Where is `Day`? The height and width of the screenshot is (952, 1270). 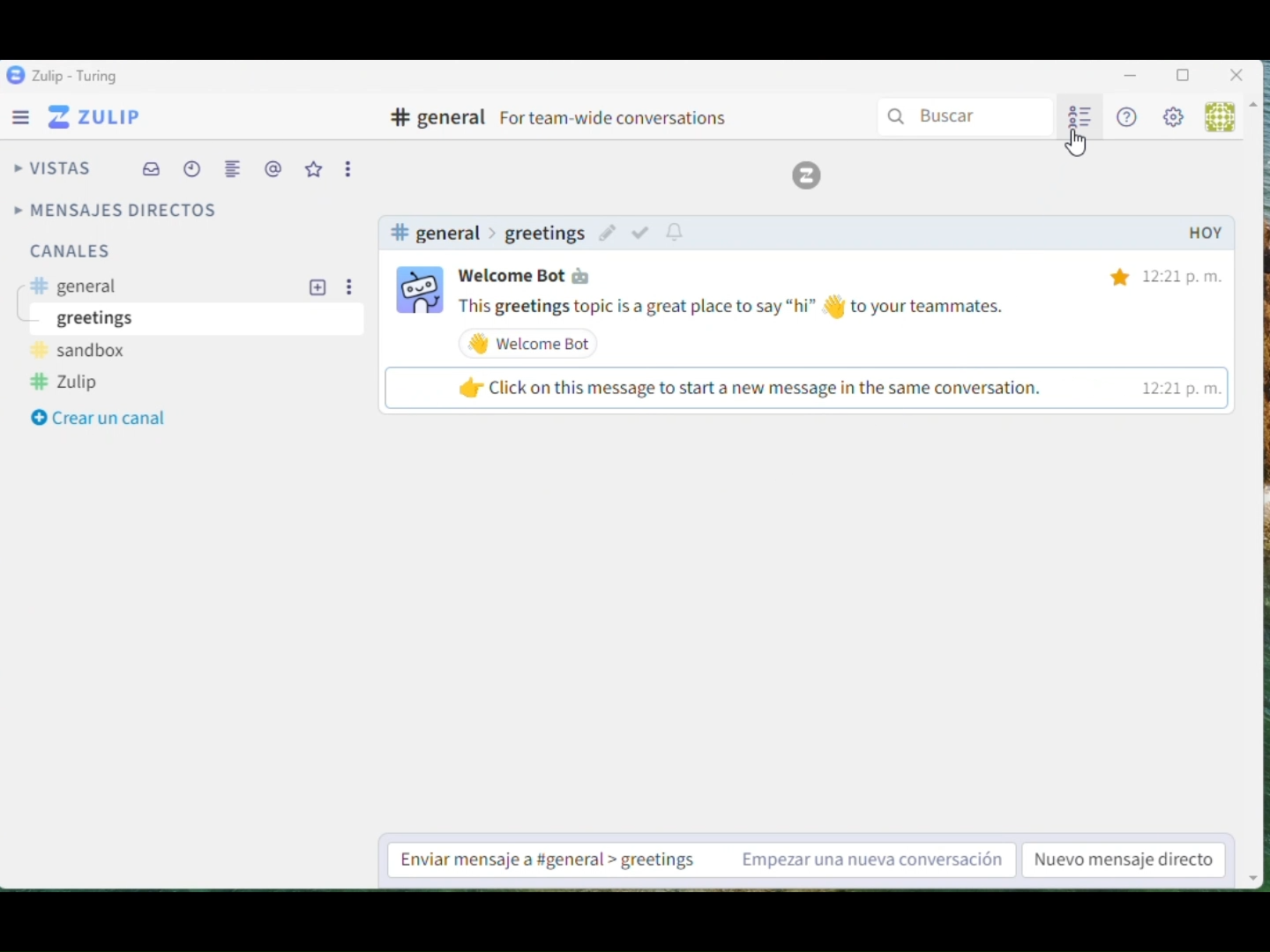
Day is located at coordinates (1204, 233).